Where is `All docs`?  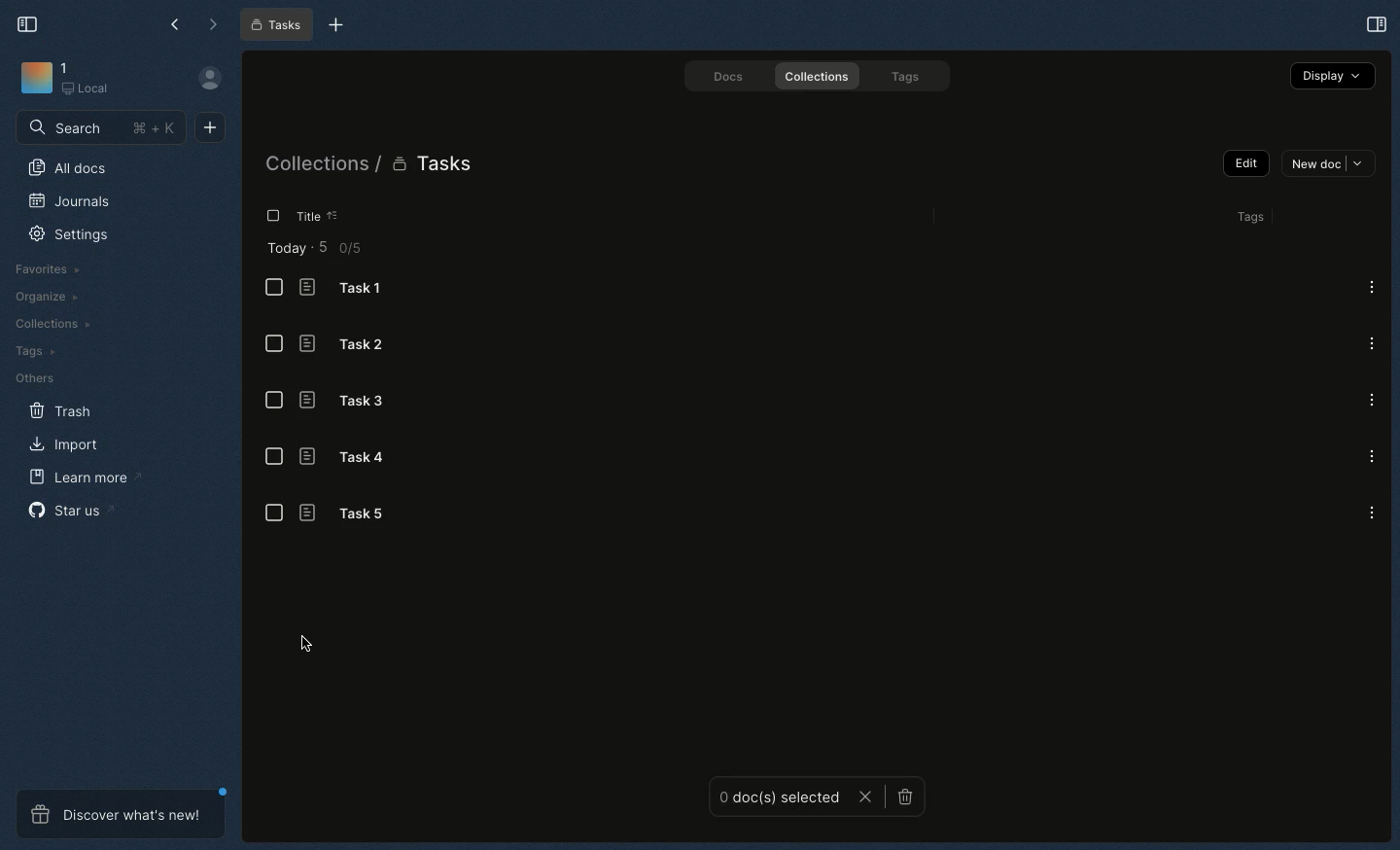 All docs is located at coordinates (71, 167).